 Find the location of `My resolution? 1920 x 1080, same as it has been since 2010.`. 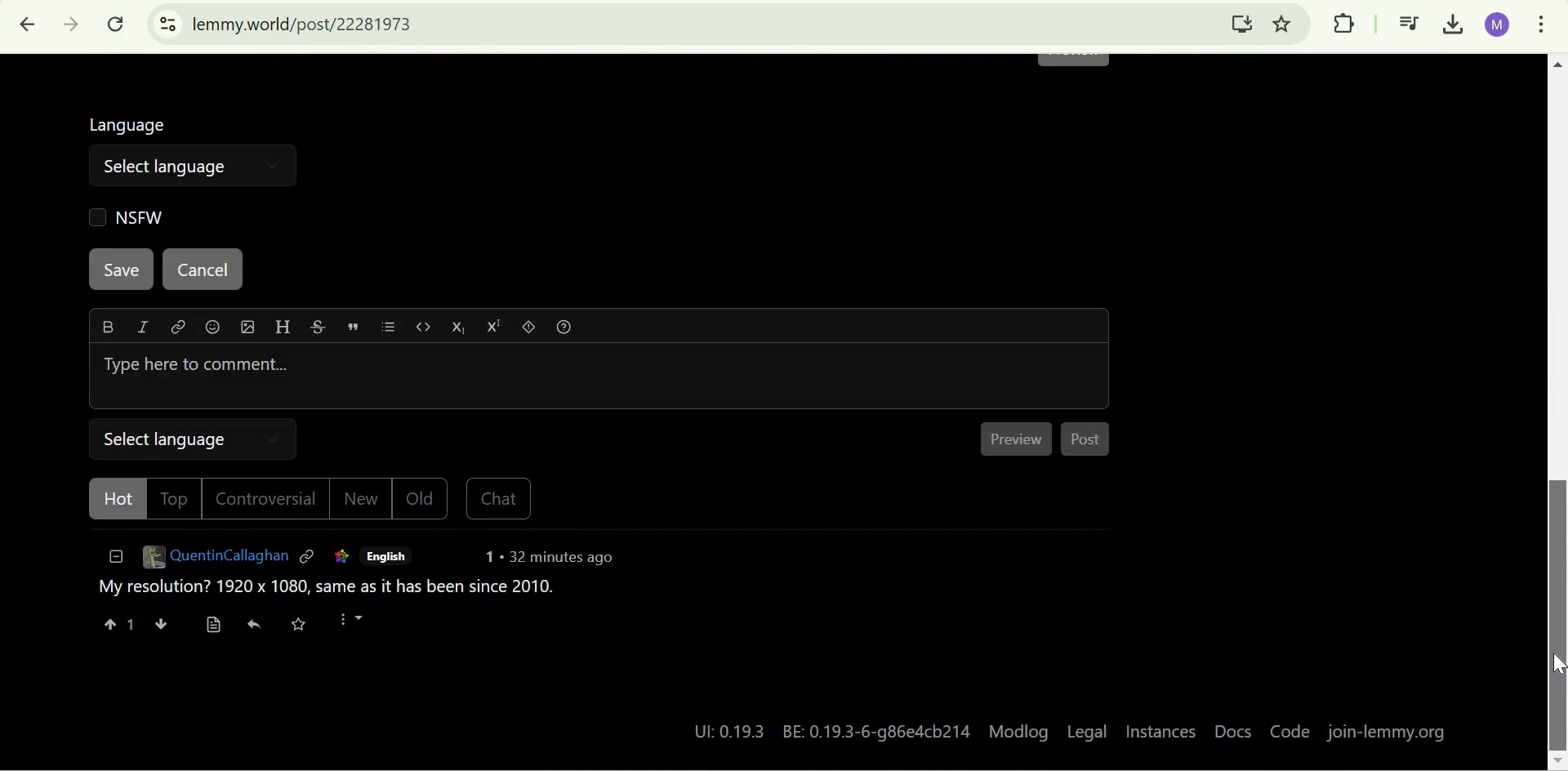

My resolution? 1920 x 1080, same as it has been since 2010. is located at coordinates (325, 592).